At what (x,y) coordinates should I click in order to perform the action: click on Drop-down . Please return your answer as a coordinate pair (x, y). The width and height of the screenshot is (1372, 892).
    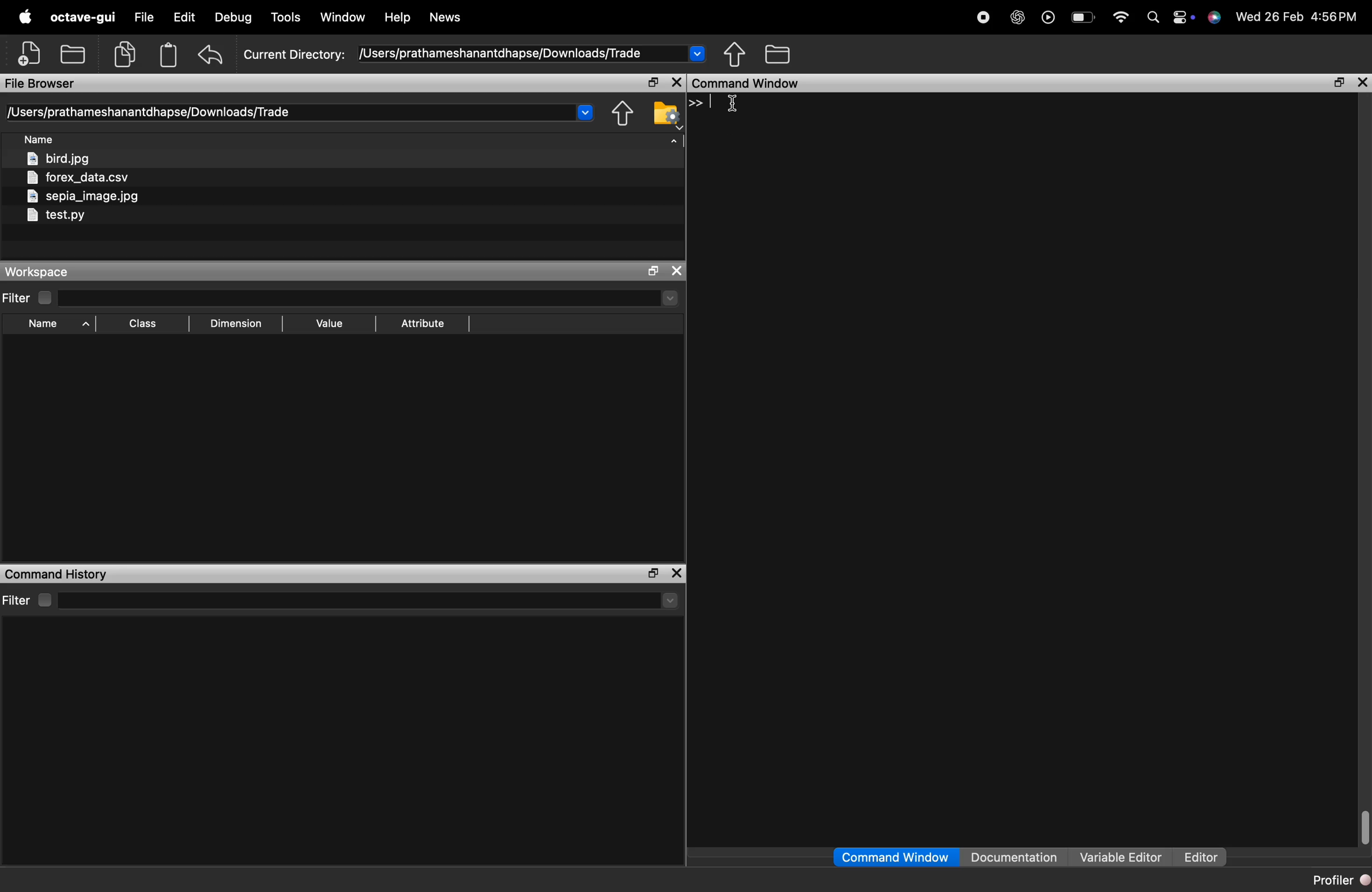
    Looking at the image, I should click on (698, 52).